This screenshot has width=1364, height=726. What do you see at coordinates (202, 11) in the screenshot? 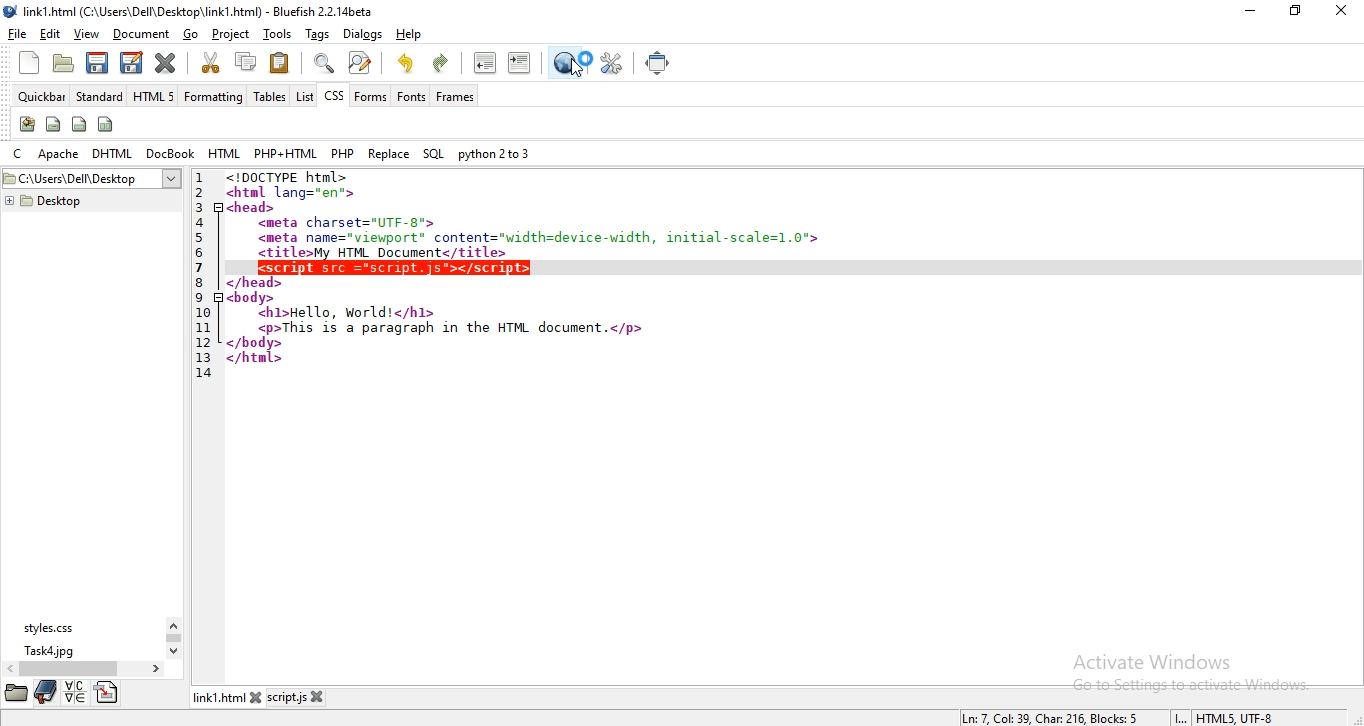
I see `title` at bounding box center [202, 11].